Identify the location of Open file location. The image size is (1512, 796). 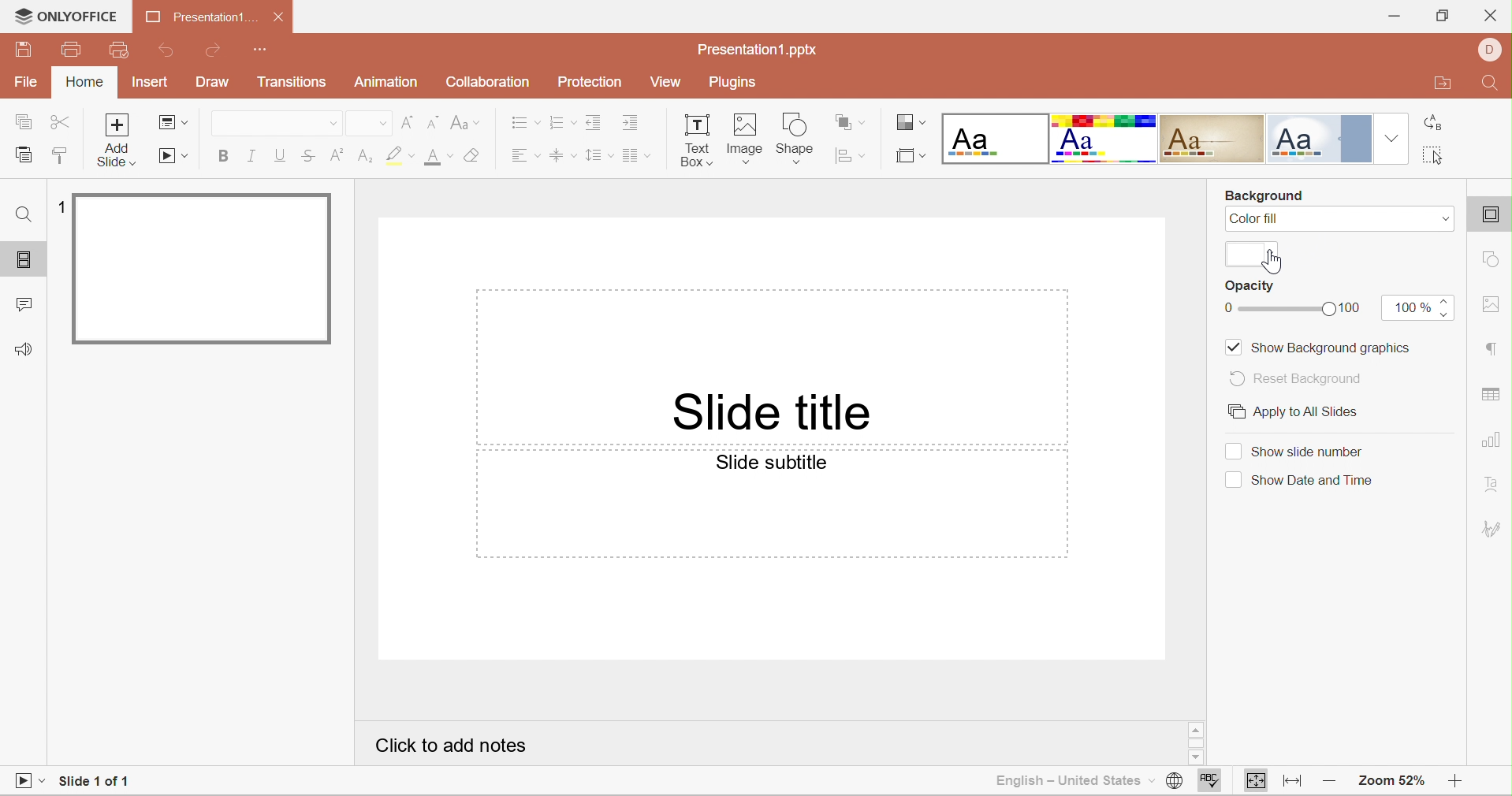
(1443, 85).